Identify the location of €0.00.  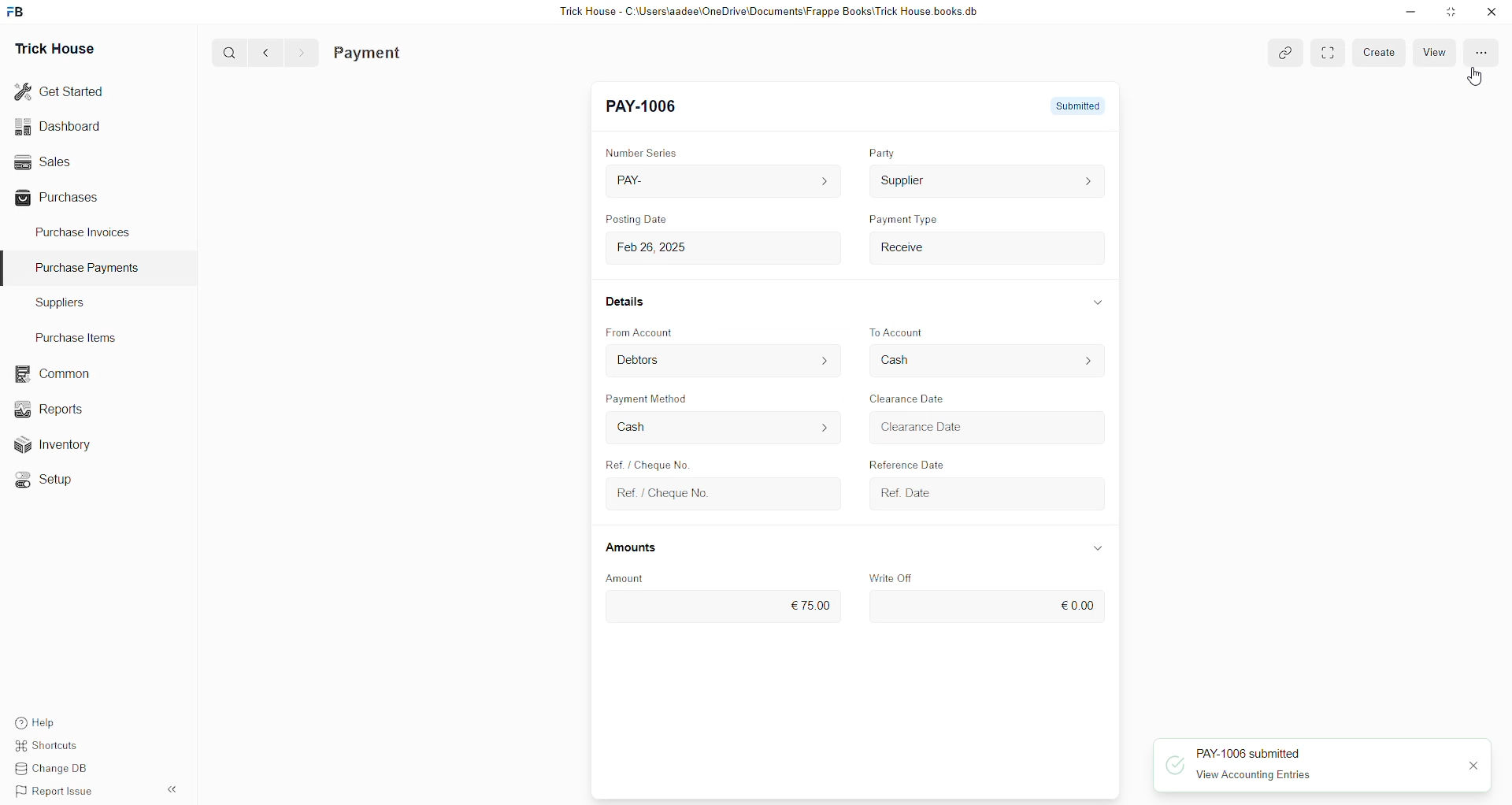
(1072, 602).